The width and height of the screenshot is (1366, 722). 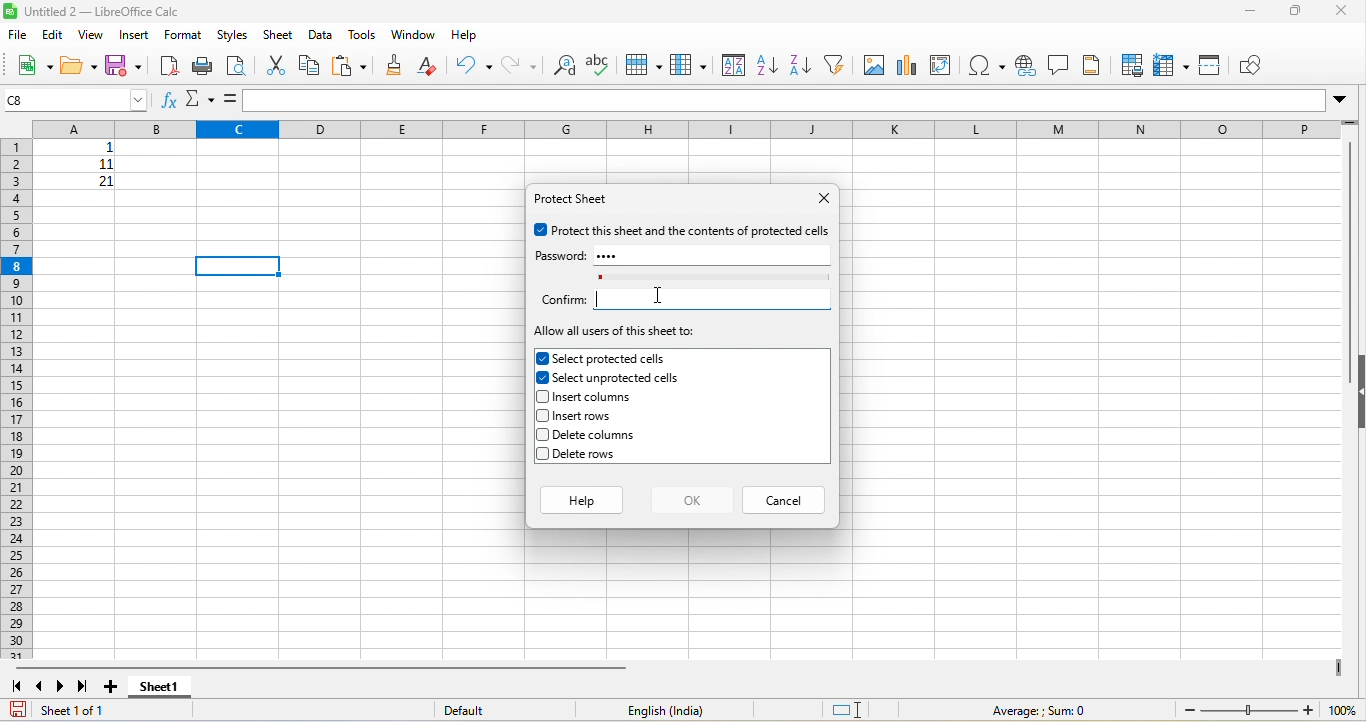 I want to click on define print area, so click(x=1133, y=67).